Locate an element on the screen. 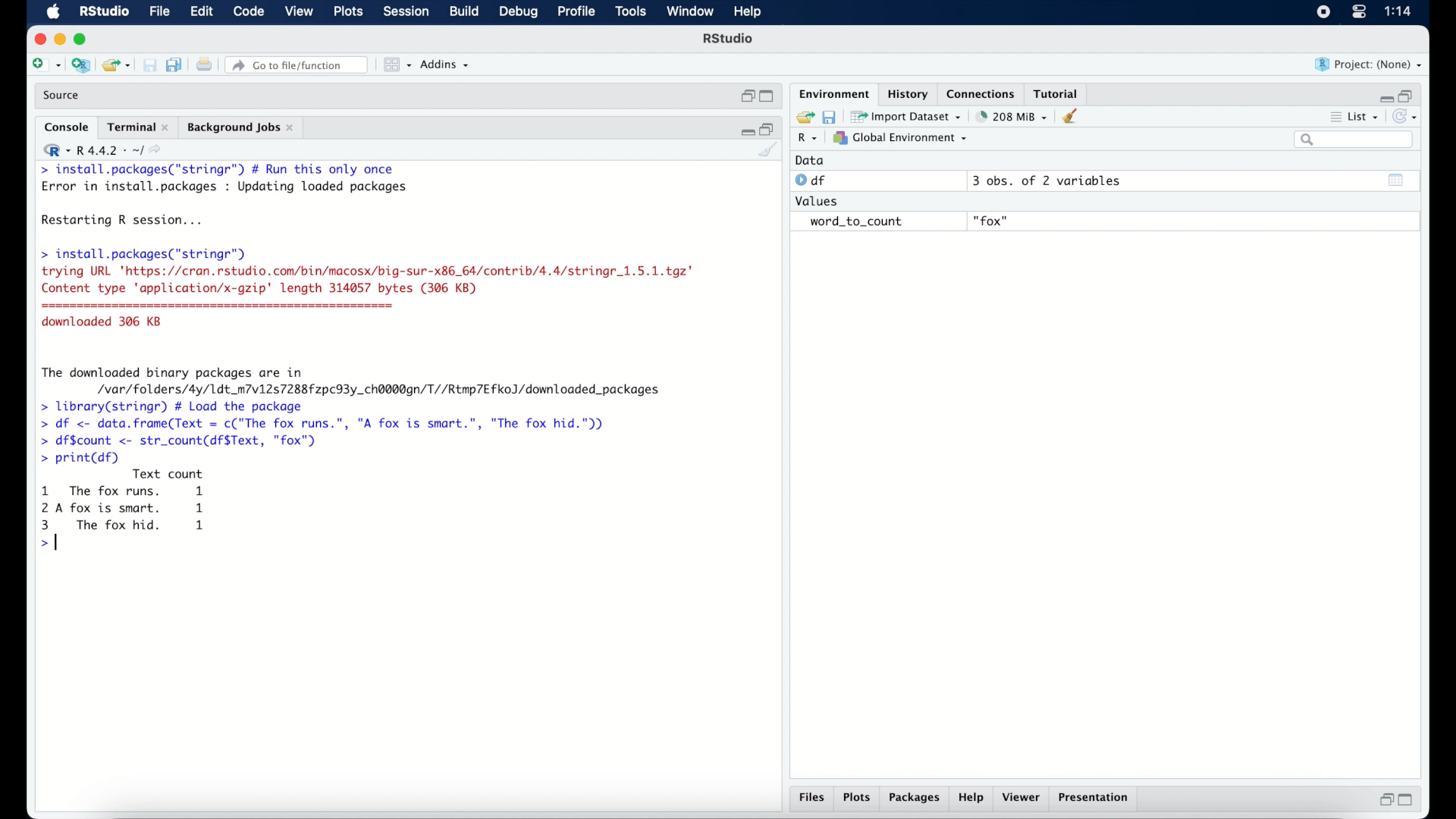 The image size is (1456, 819). show output window is located at coordinates (1397, 180).